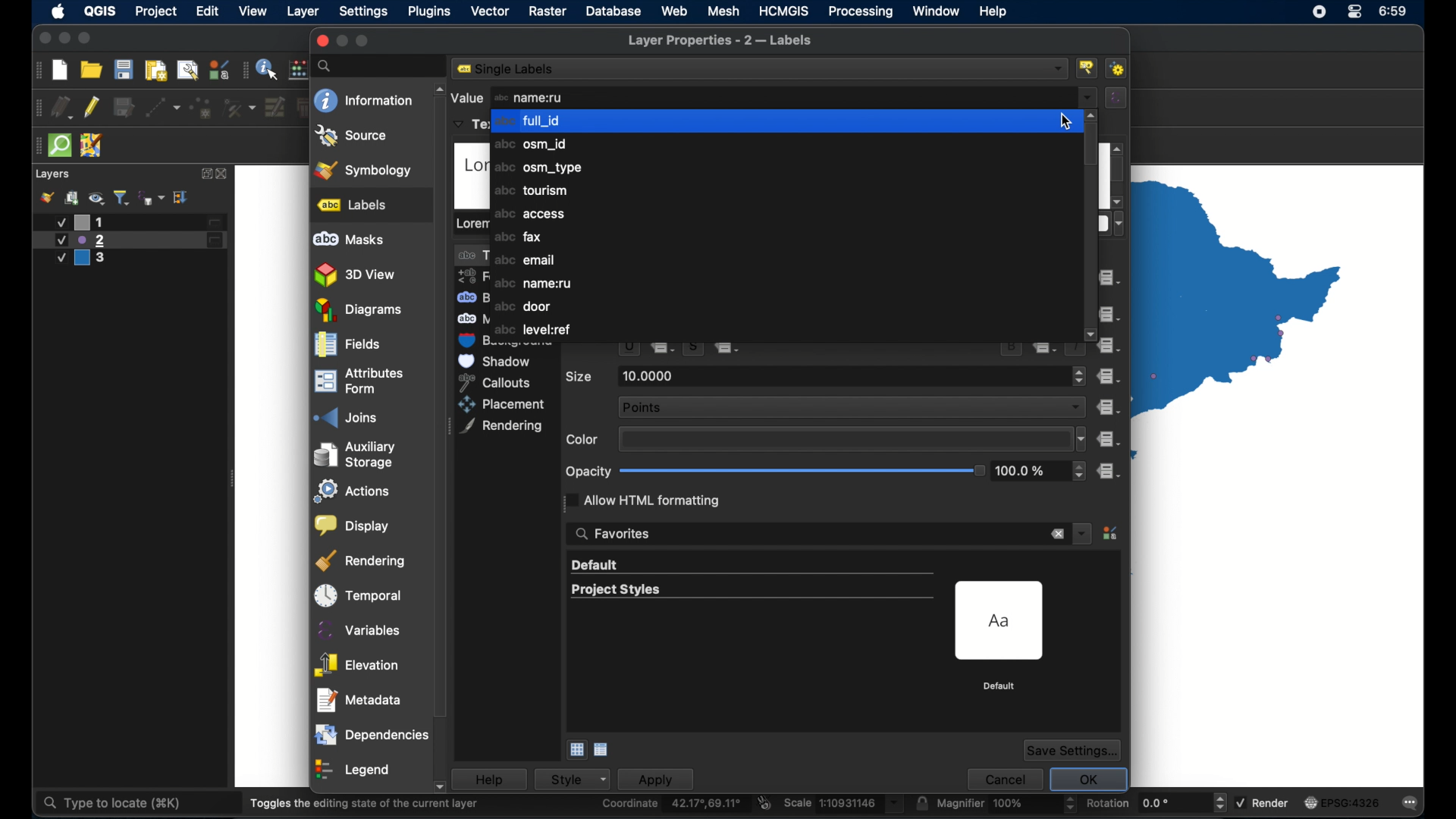 The height and width of the screenshot is (819, 1456). Describe the element at coordinates (300, 69) in the screenshot. I see `open field calculator` at that location.